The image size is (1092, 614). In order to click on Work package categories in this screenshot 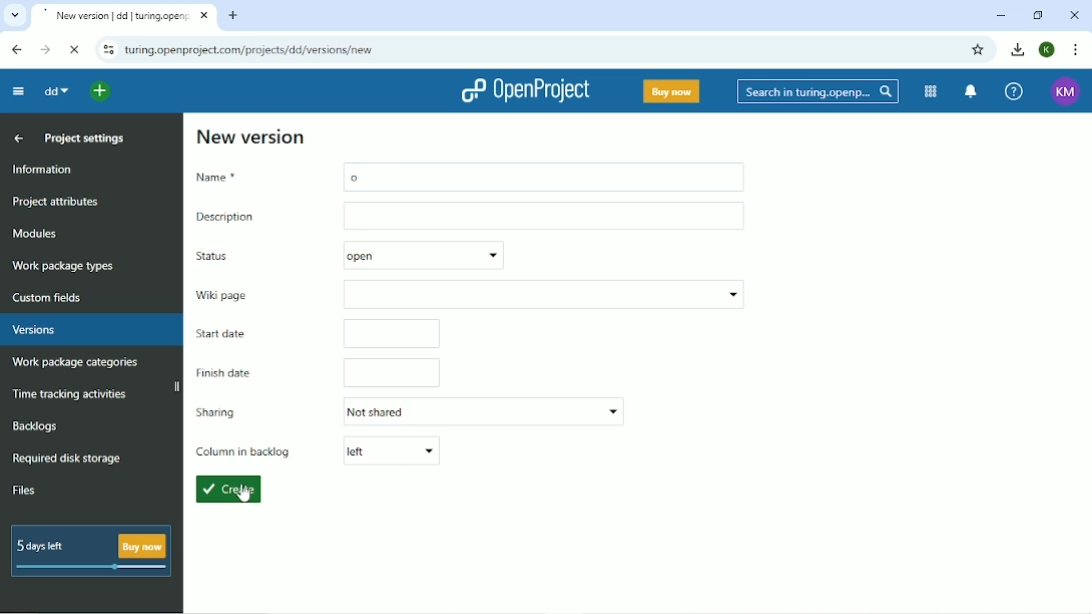, I will do `click(74, 363)`.